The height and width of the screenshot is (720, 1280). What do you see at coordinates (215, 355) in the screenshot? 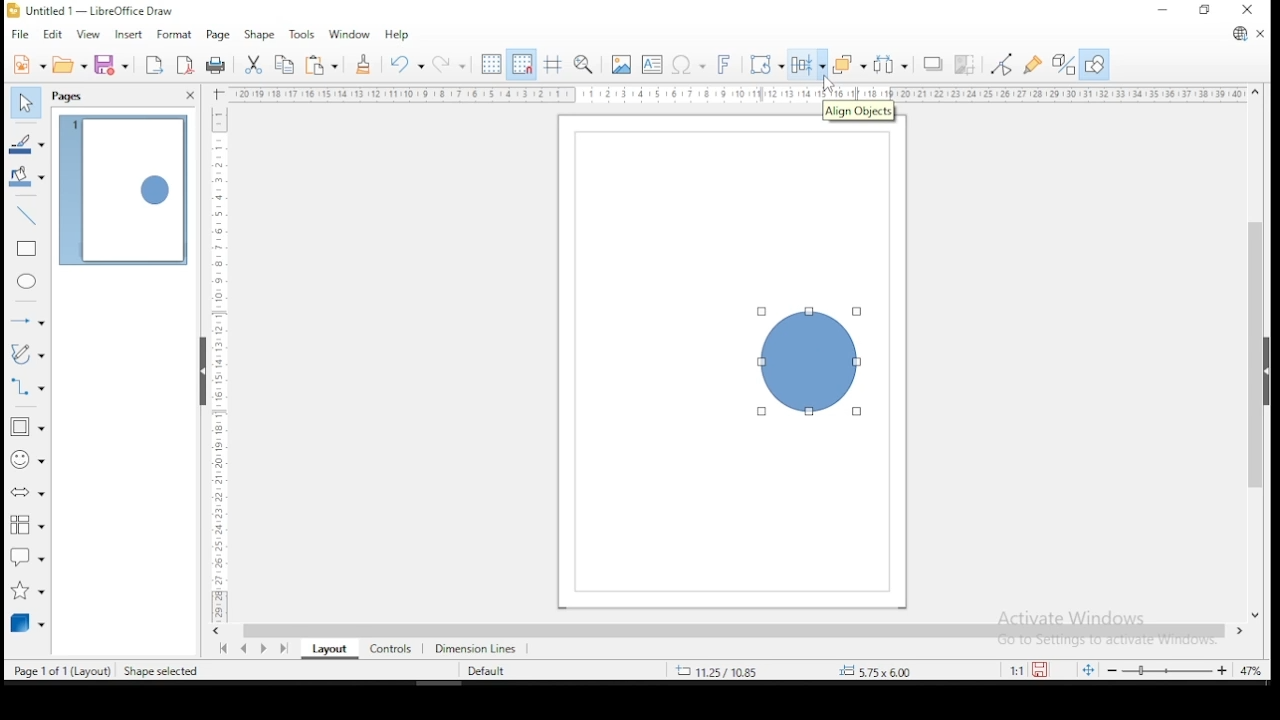
I see `vertical scale` at bounding box center [215, 355].